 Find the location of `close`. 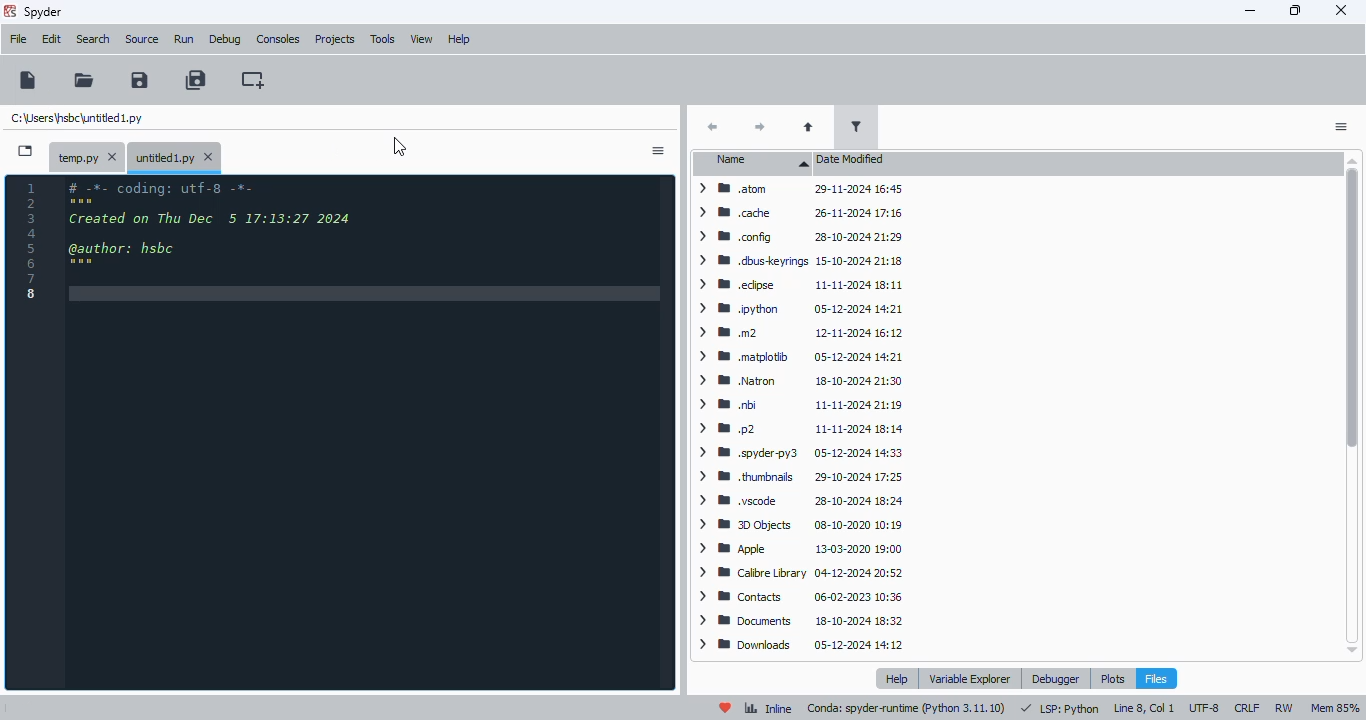

close is located at coordinates (1341, 11).